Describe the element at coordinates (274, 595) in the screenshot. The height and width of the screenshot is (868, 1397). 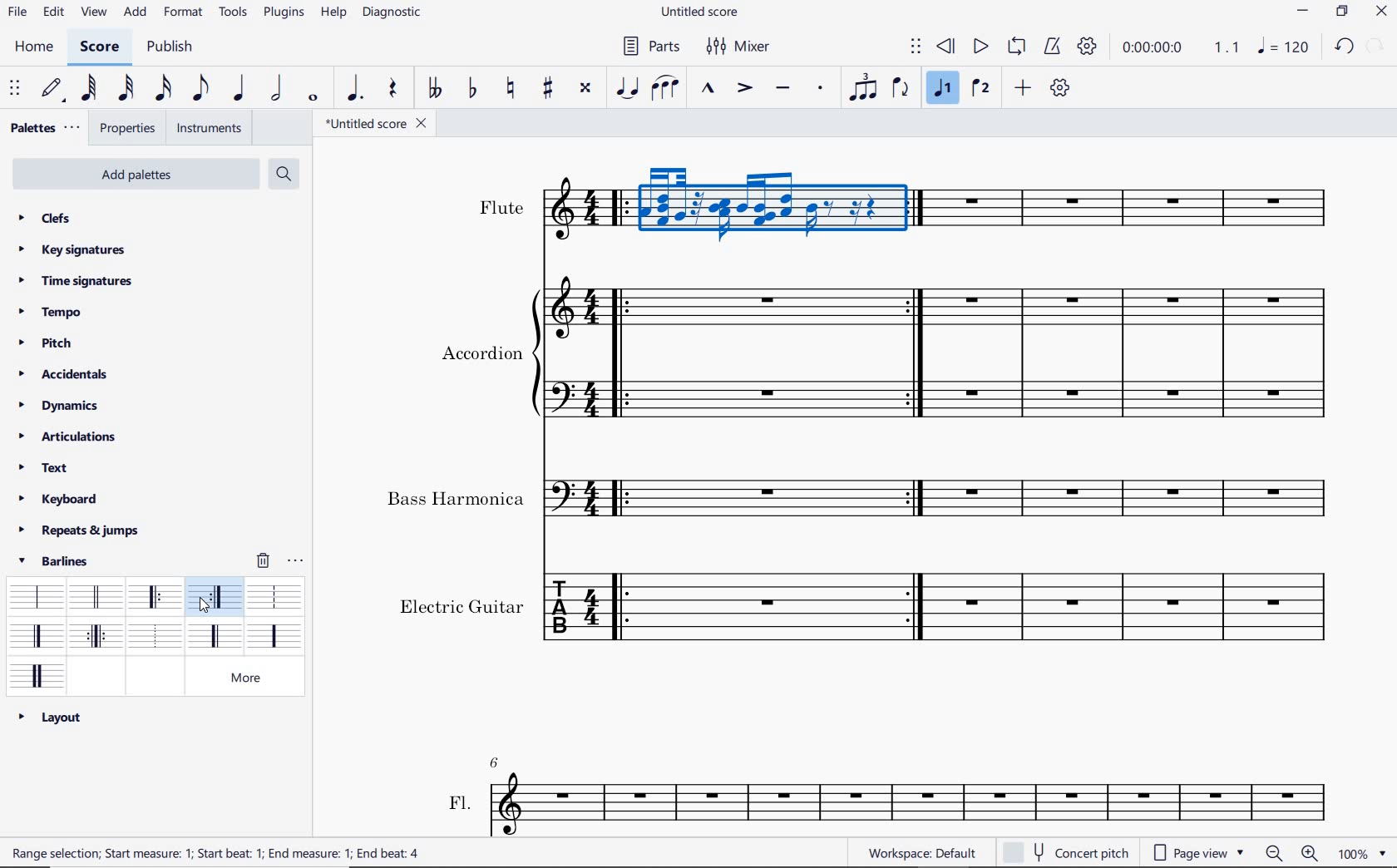
I see `dashed barline` at that location.